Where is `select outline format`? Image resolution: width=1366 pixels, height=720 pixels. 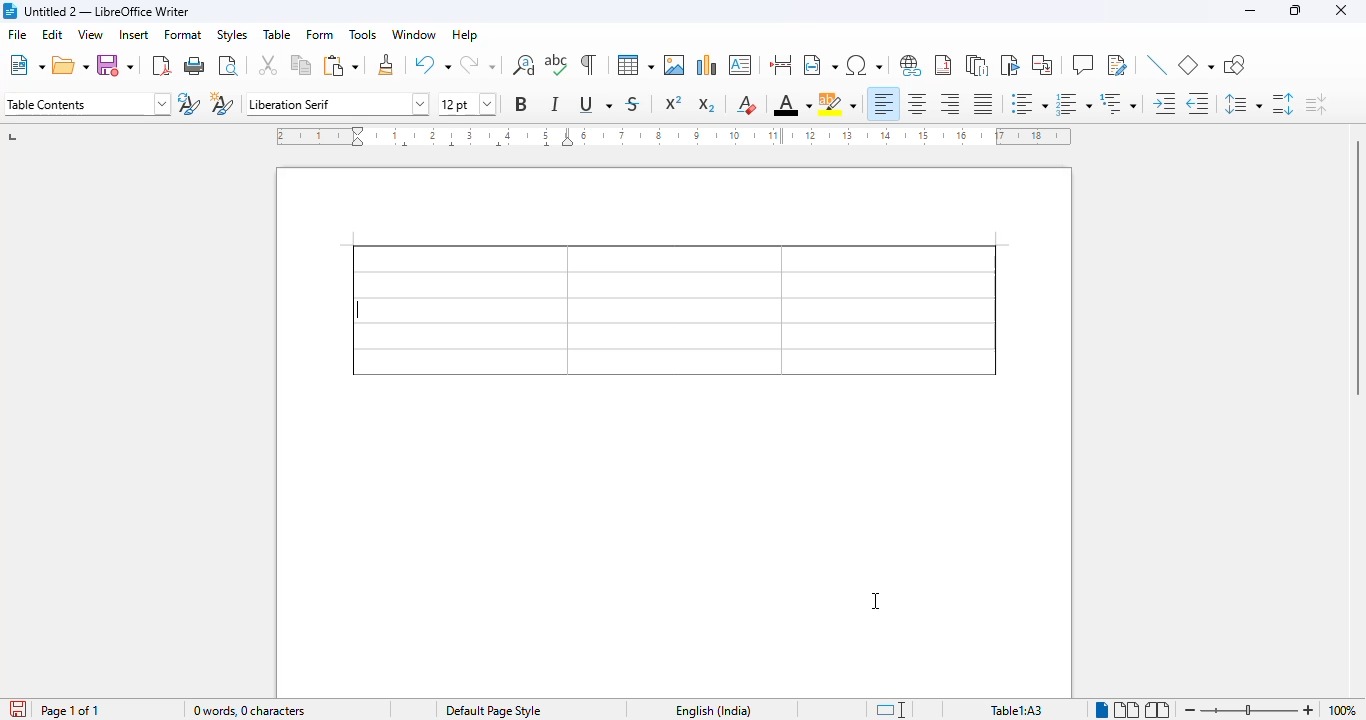
select outline format is located at coordinates (1118, 104).